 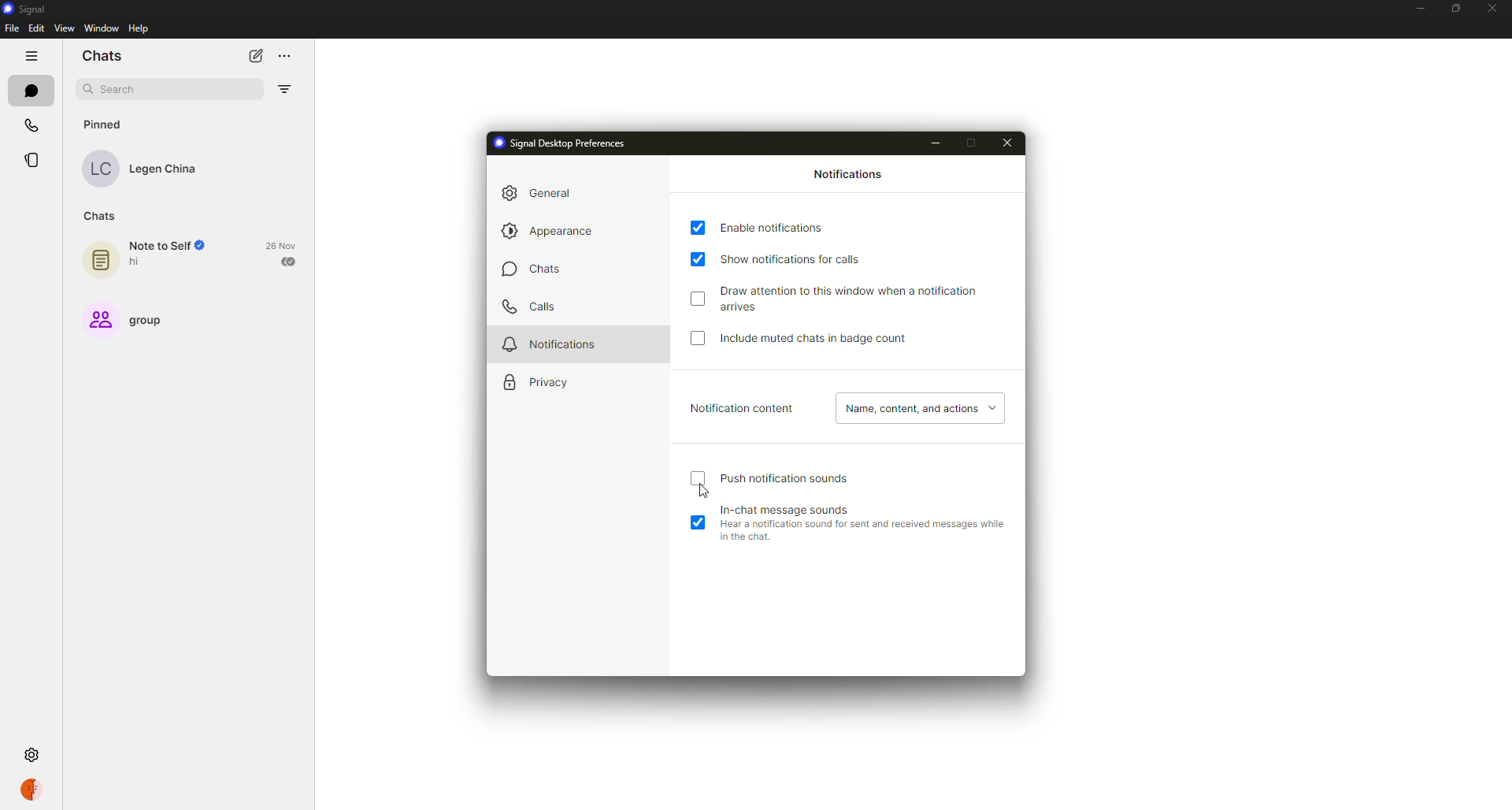 I want to click on search, so click(x=123, y=88).